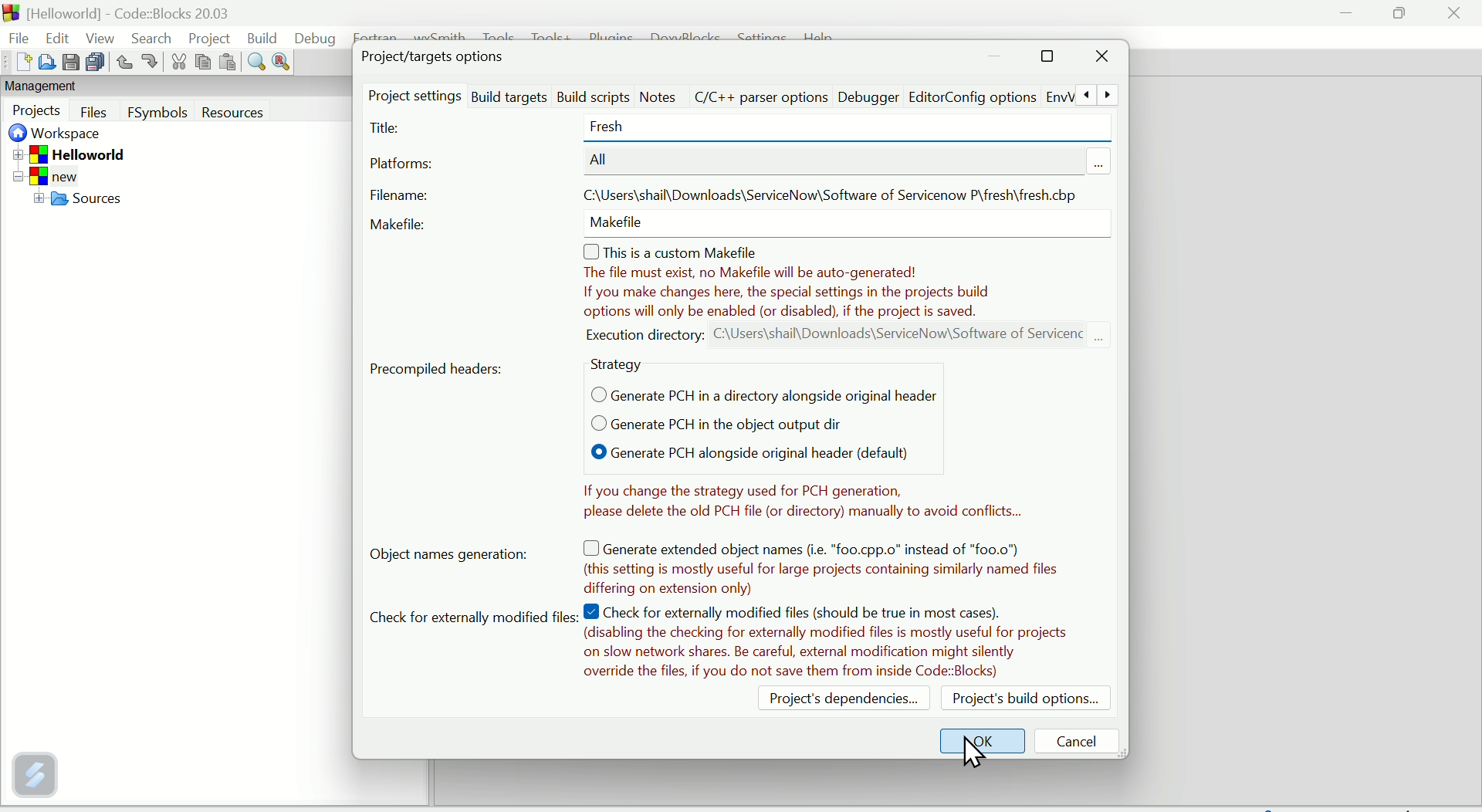  Describe the element at coordinates (158, 116) in the screenshot. I see `F symbols` at that location.